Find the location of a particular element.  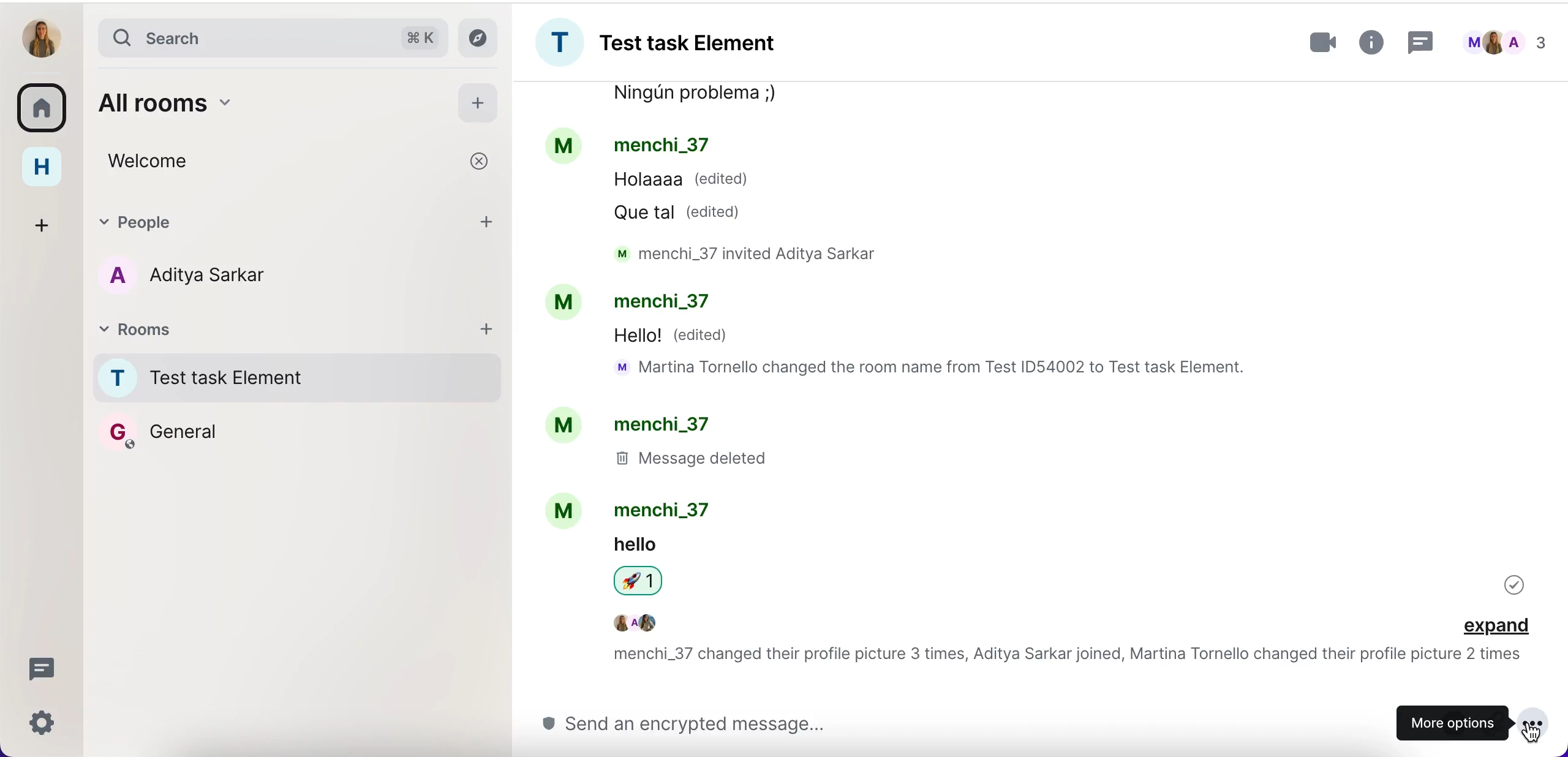

videocall is located at coordinates (1323, 43).